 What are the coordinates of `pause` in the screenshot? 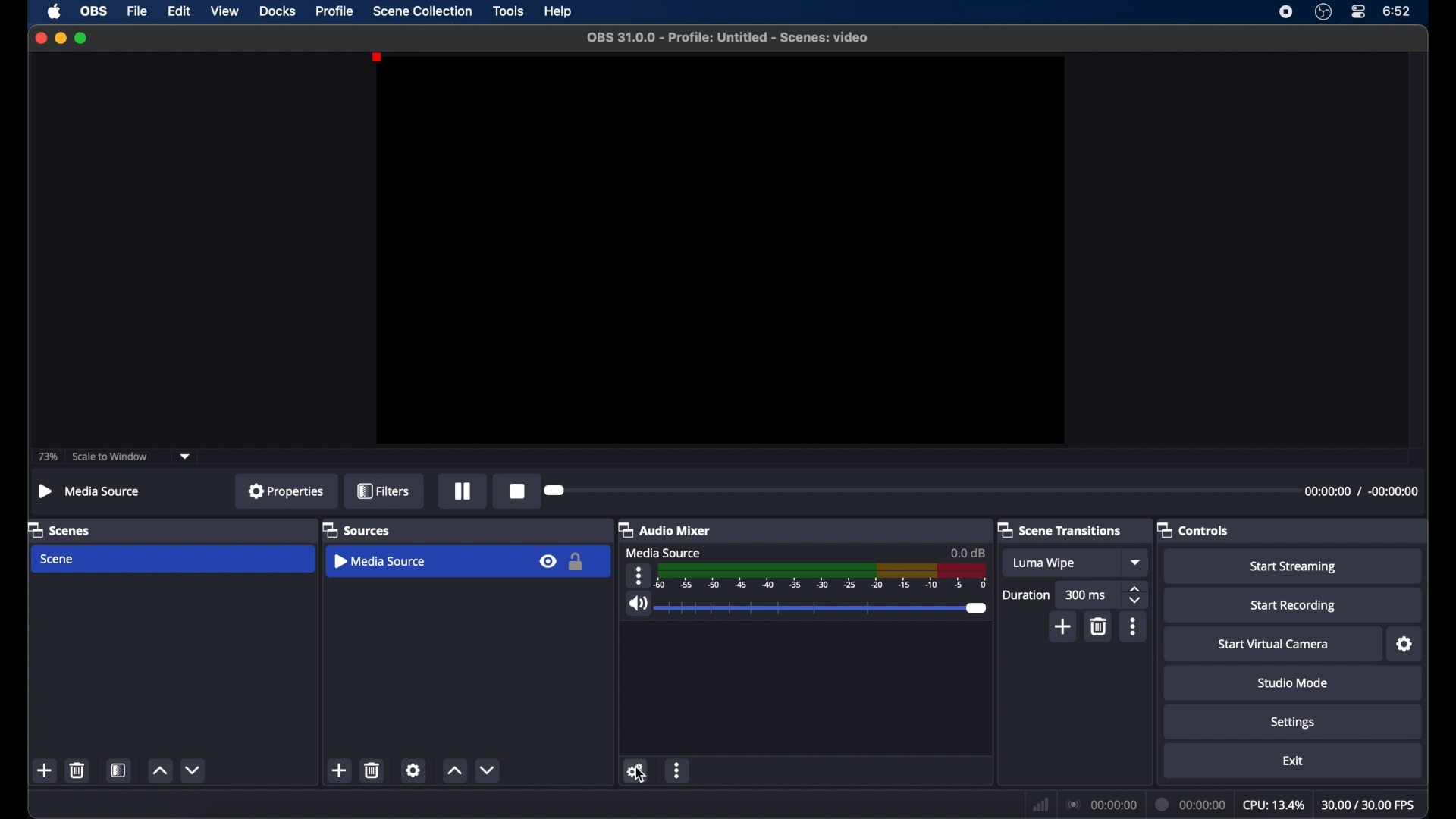 It's located at (463, 493).